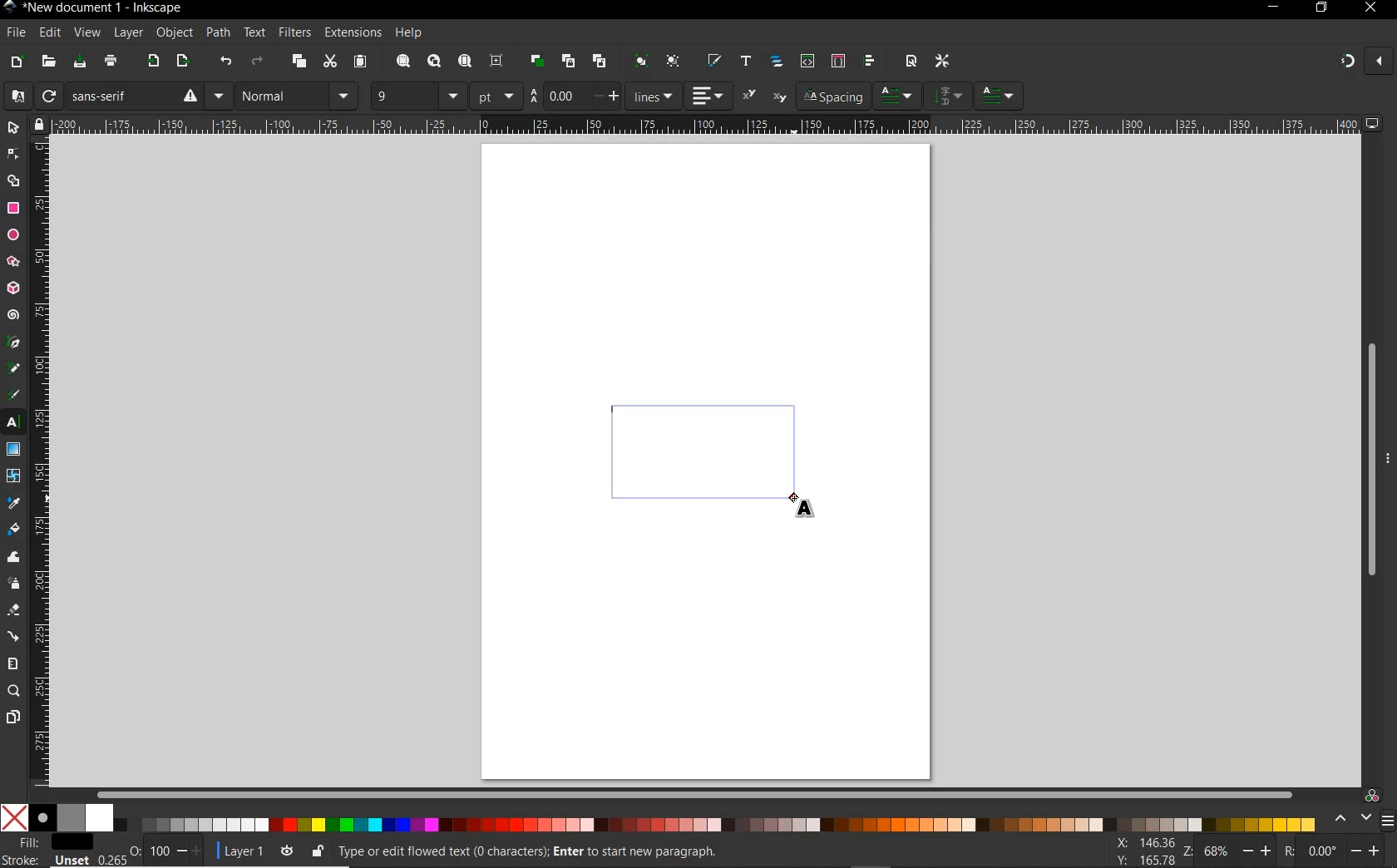 The image size is (1397, 868). What do you see at coordinates (86, 33) in the screenshot?
I see `view` at bounding box center [86, 33].